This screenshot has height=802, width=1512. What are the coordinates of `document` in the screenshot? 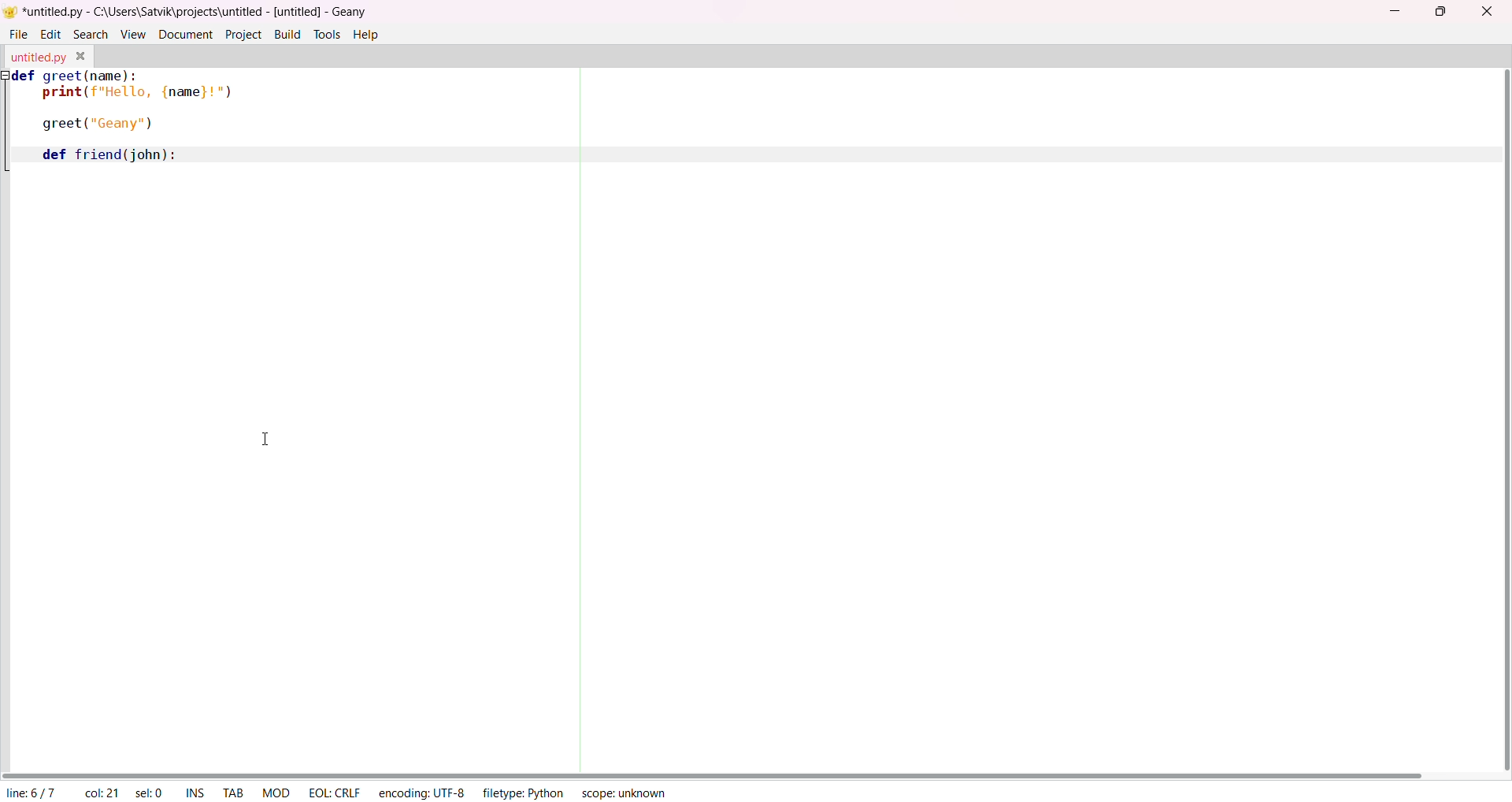 It's located at (187, 35).